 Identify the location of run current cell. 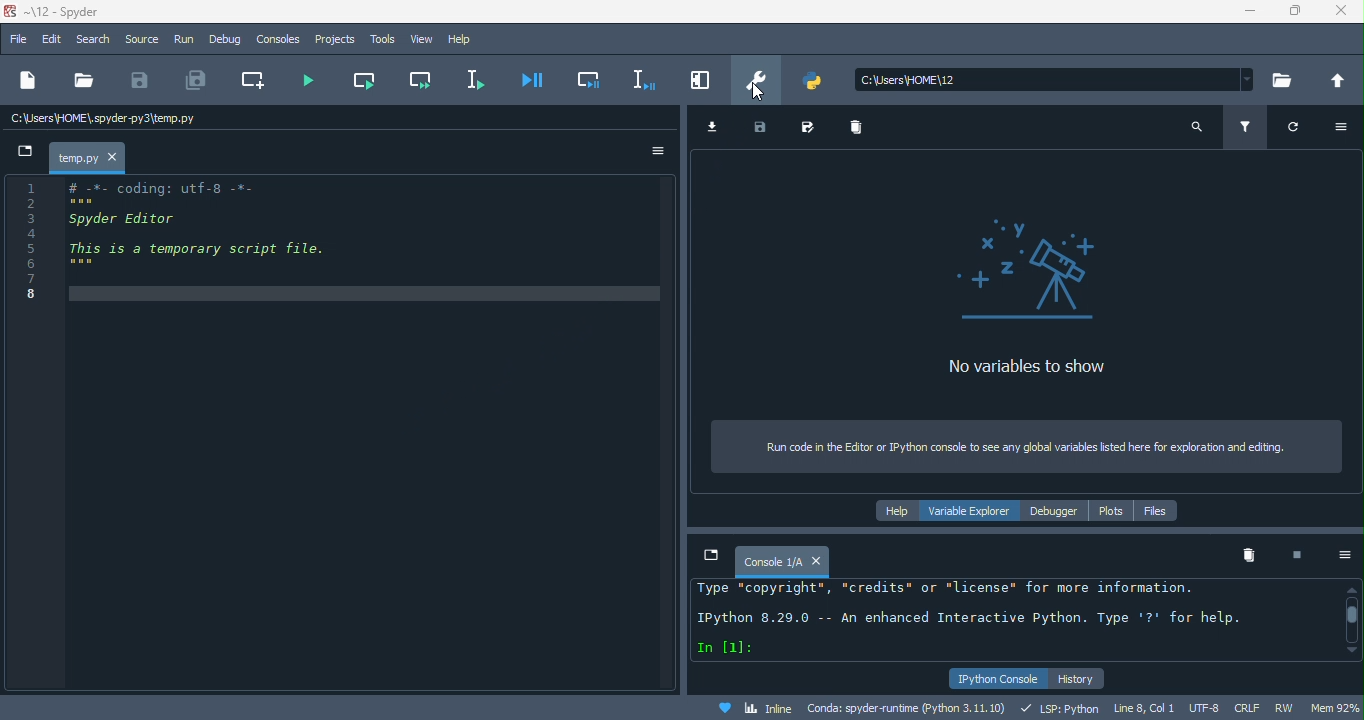
(362, 77).